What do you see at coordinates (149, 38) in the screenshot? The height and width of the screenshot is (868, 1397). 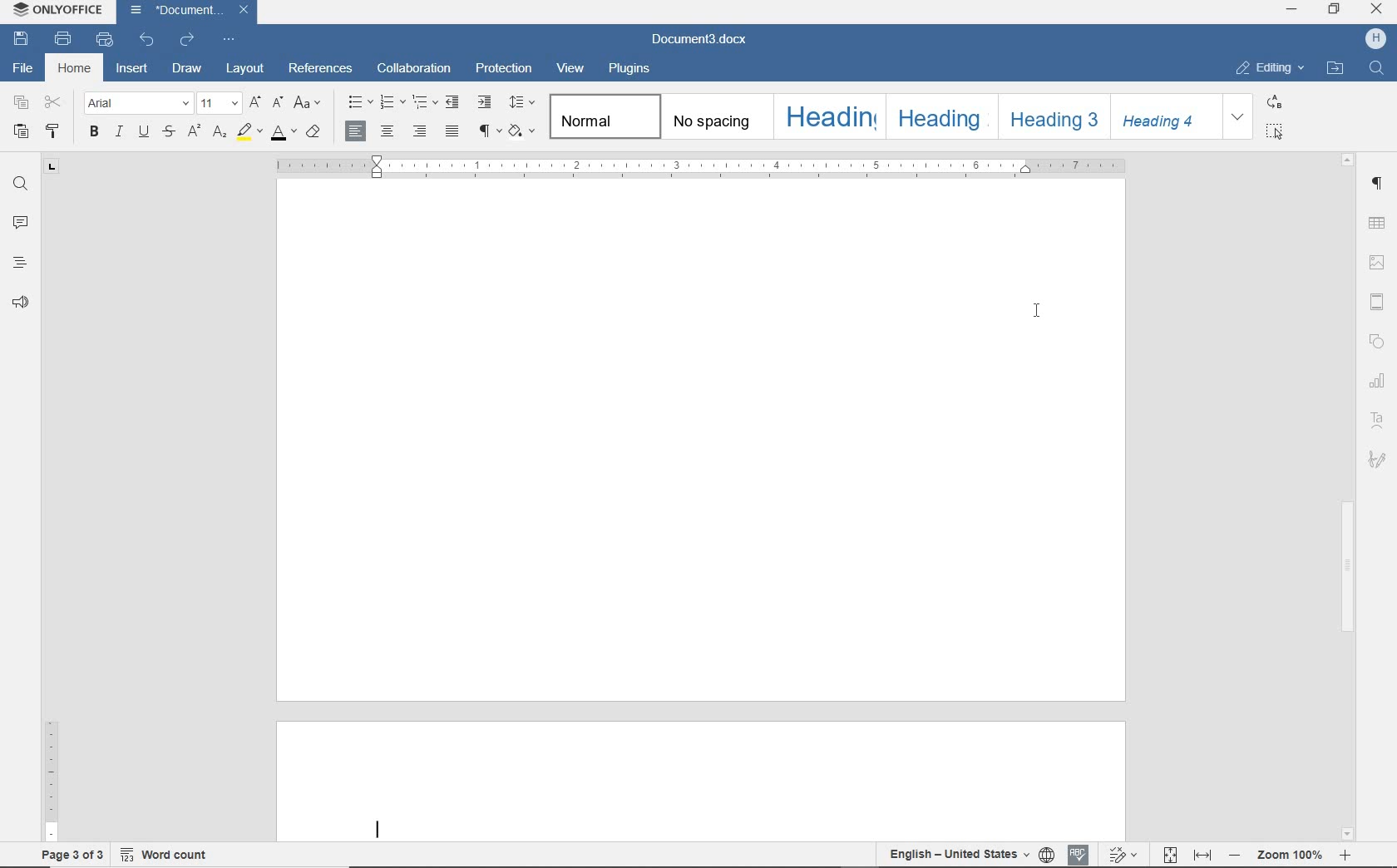 I see `UNDO` at bounding box center [149, 38].